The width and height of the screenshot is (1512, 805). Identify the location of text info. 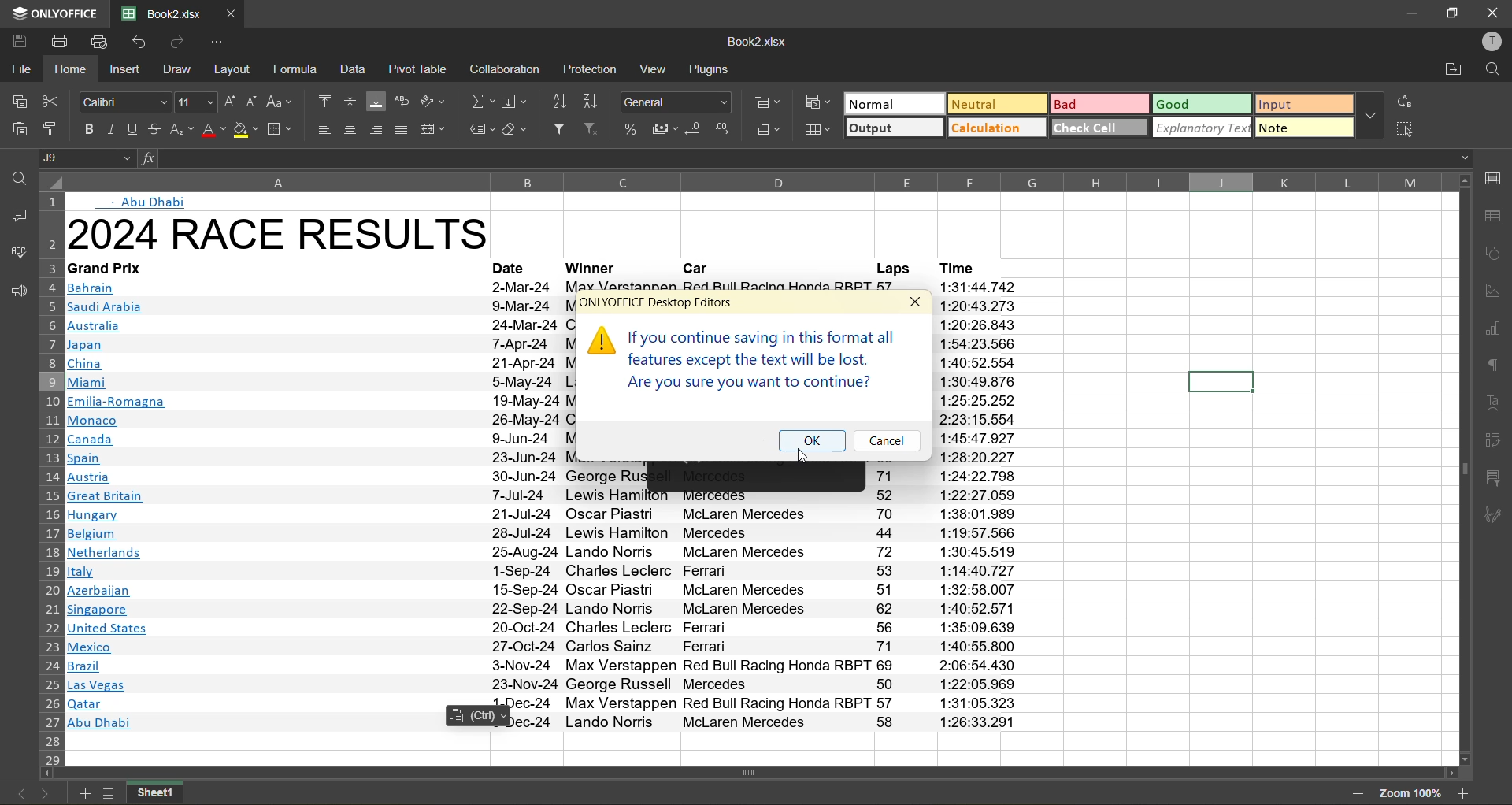
(315, 382).